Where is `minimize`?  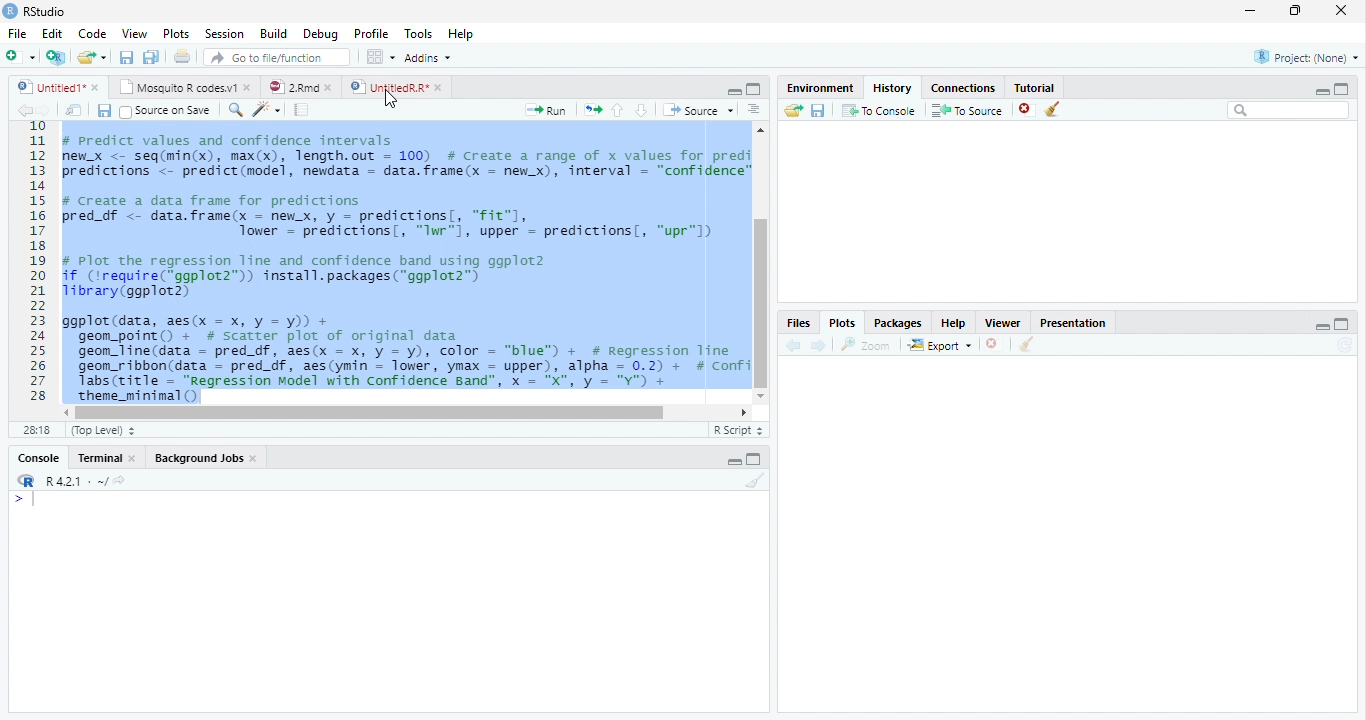
minimize is located at coordinates (1320, 329).